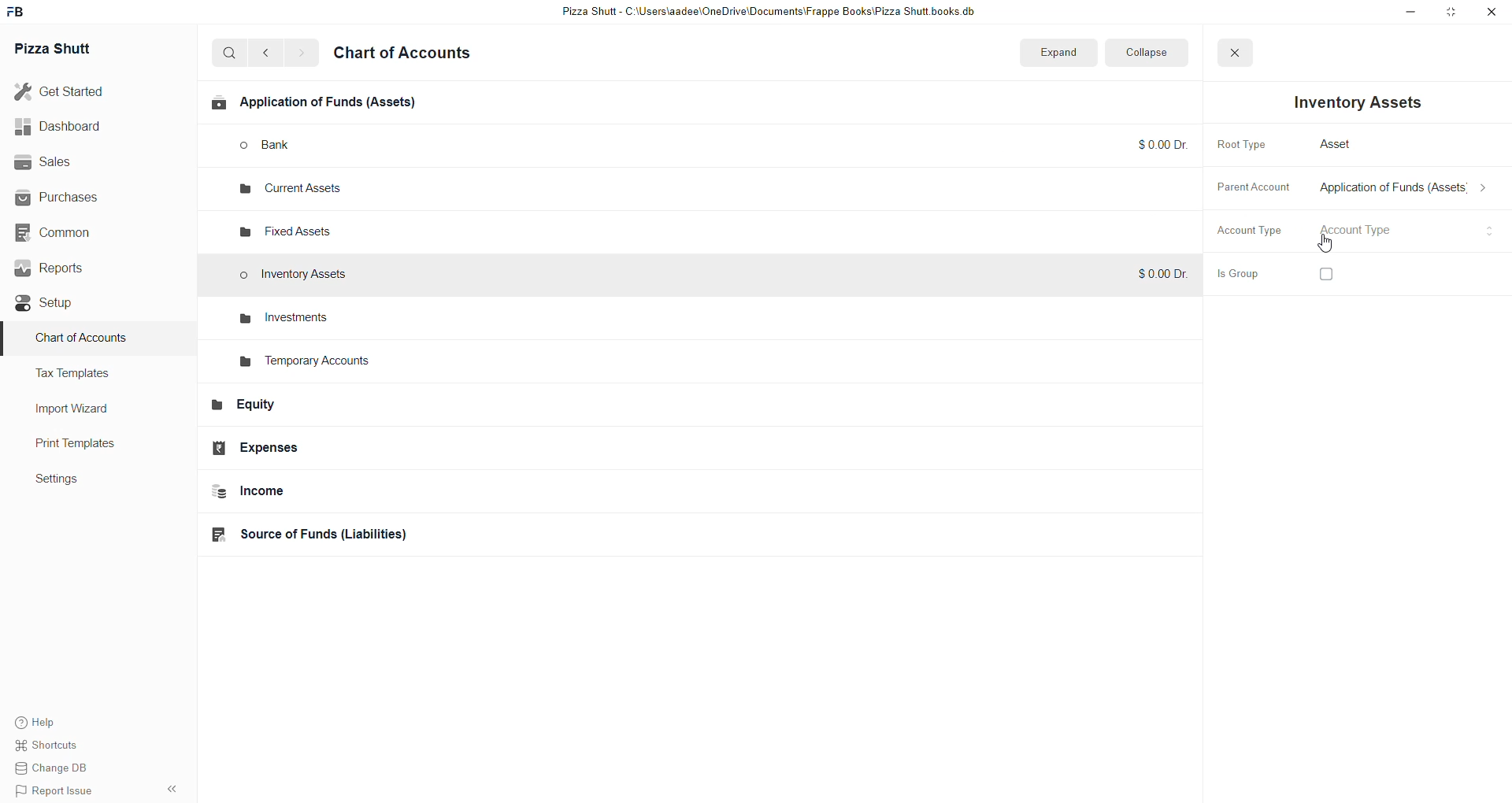  What do you see at coordinates (1154, 274) in the screenshot?
I see `$0.00 Dr.` at bounding box center [1154, 274].